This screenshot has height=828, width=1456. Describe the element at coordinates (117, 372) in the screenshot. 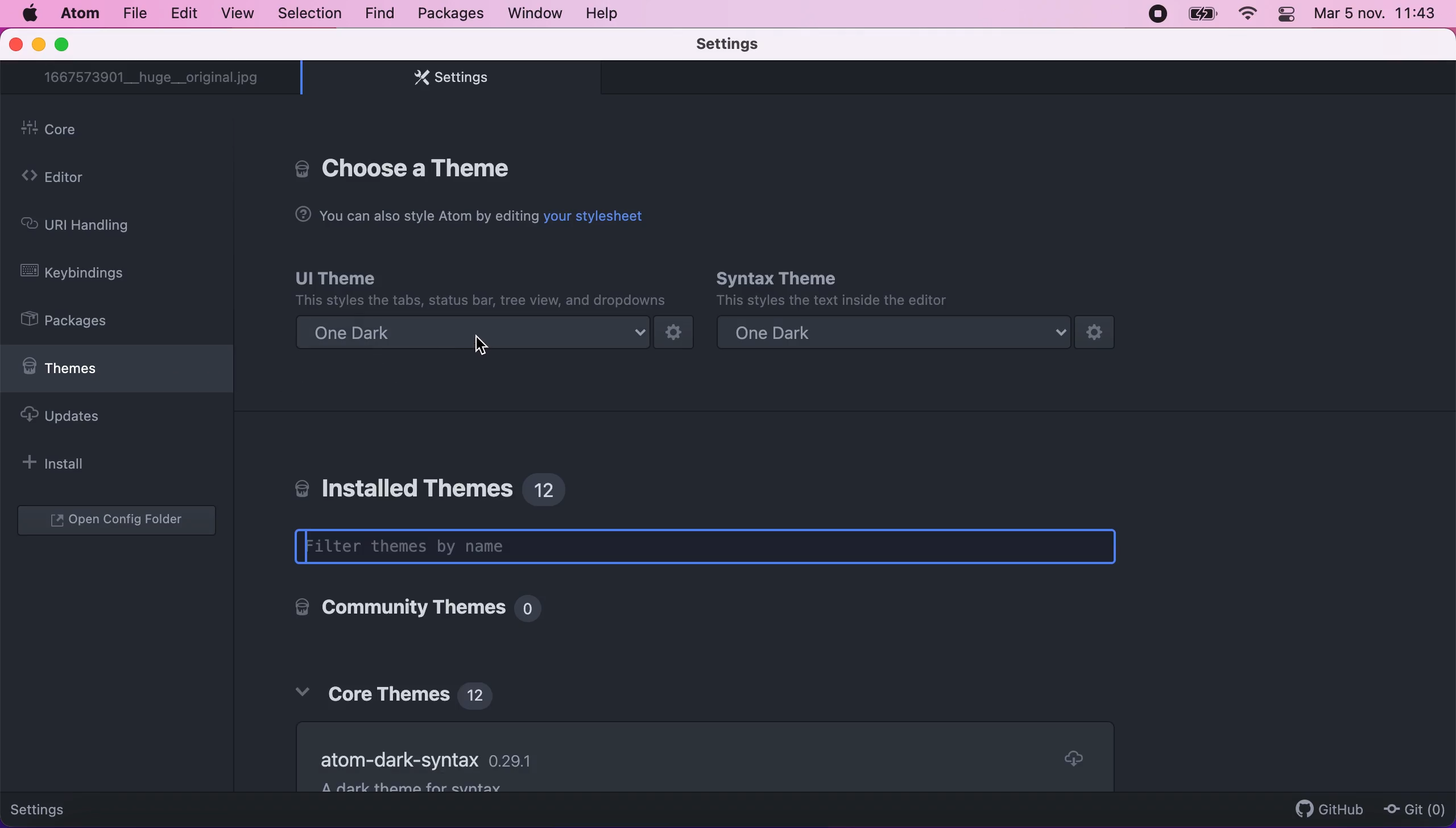

I see `themes` at that location.